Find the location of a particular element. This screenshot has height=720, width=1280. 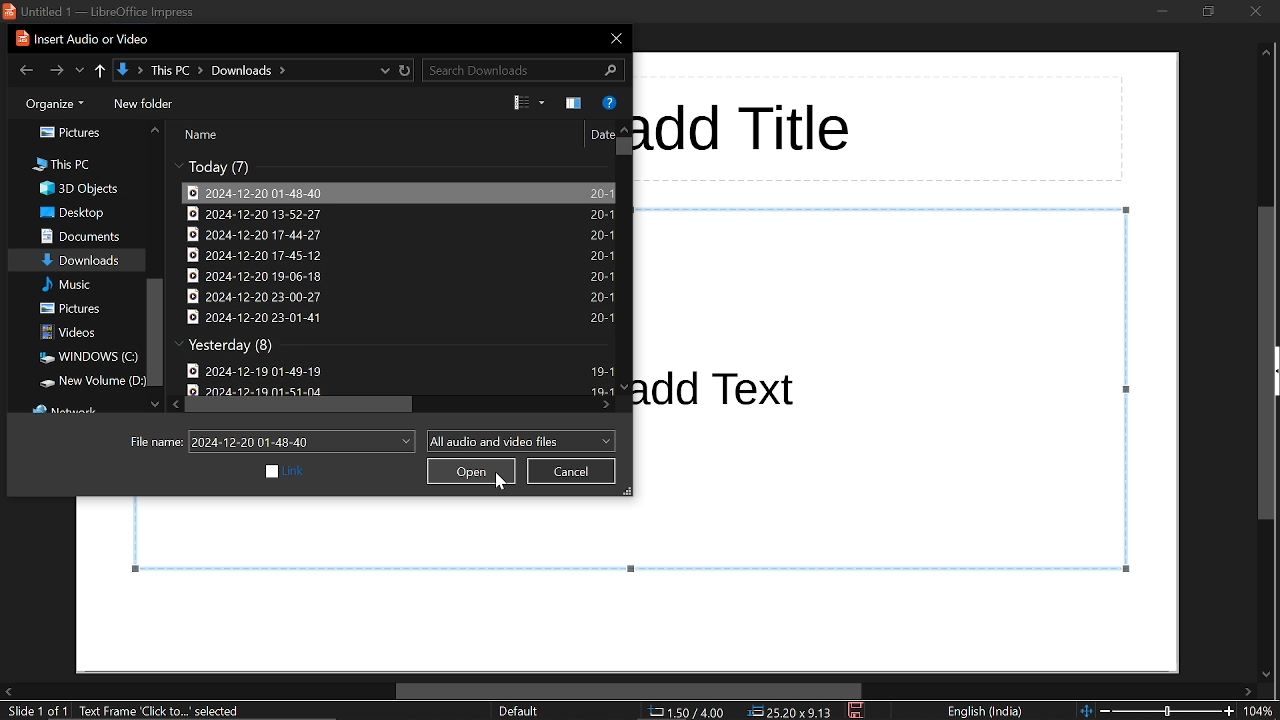

windows(C:) is located at coordinates (86, 358).